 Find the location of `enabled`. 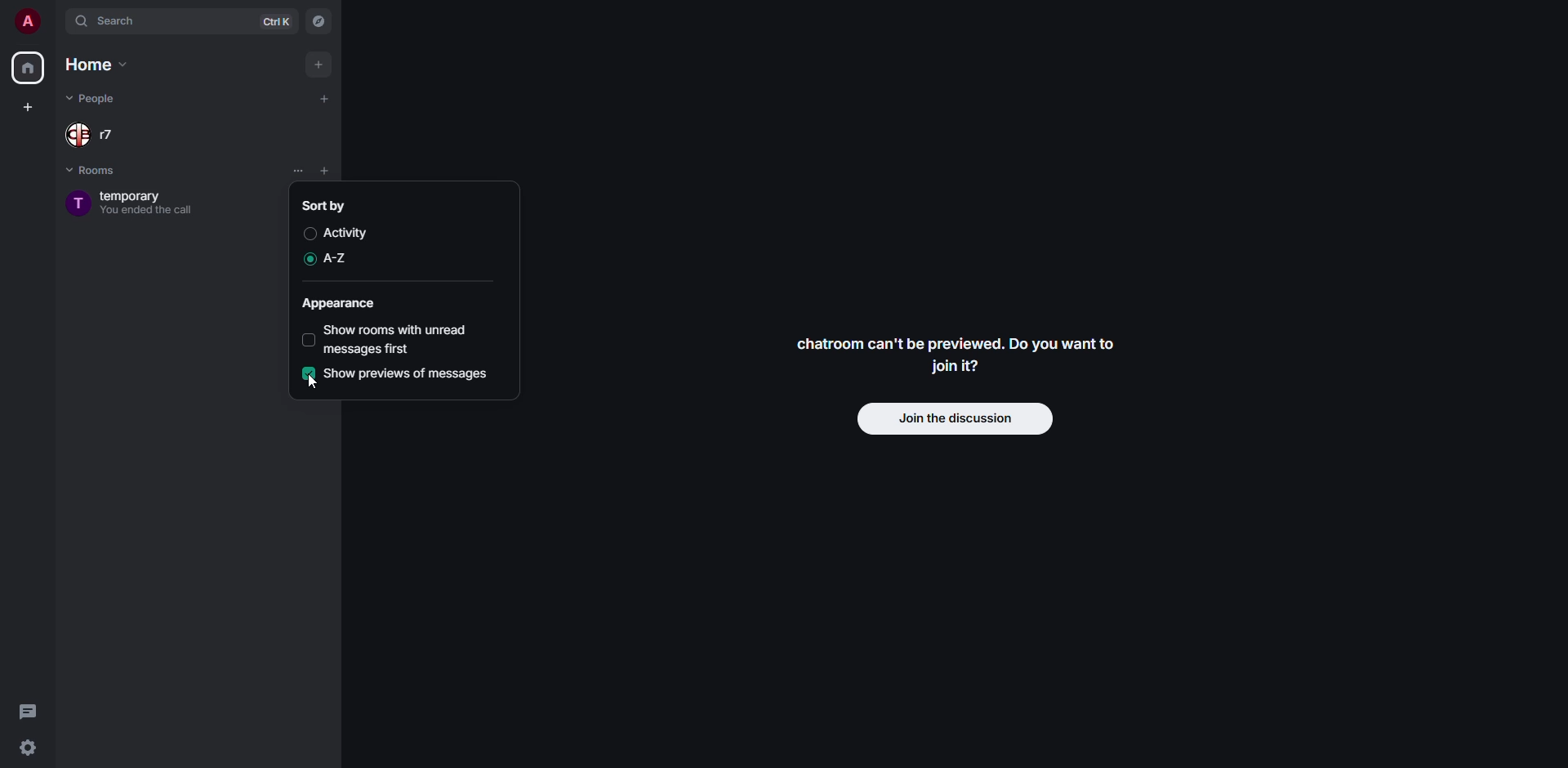

enabled is located at coordinates (307, 373).